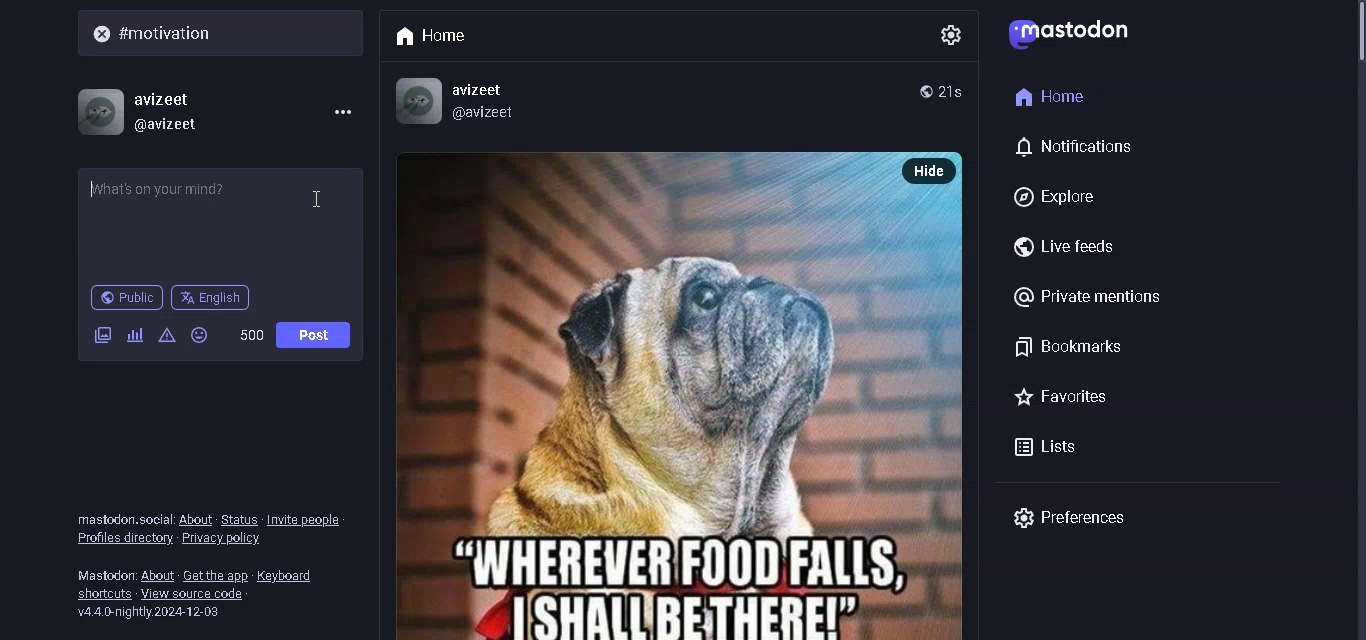  I want to click on about, so click(158, 573).